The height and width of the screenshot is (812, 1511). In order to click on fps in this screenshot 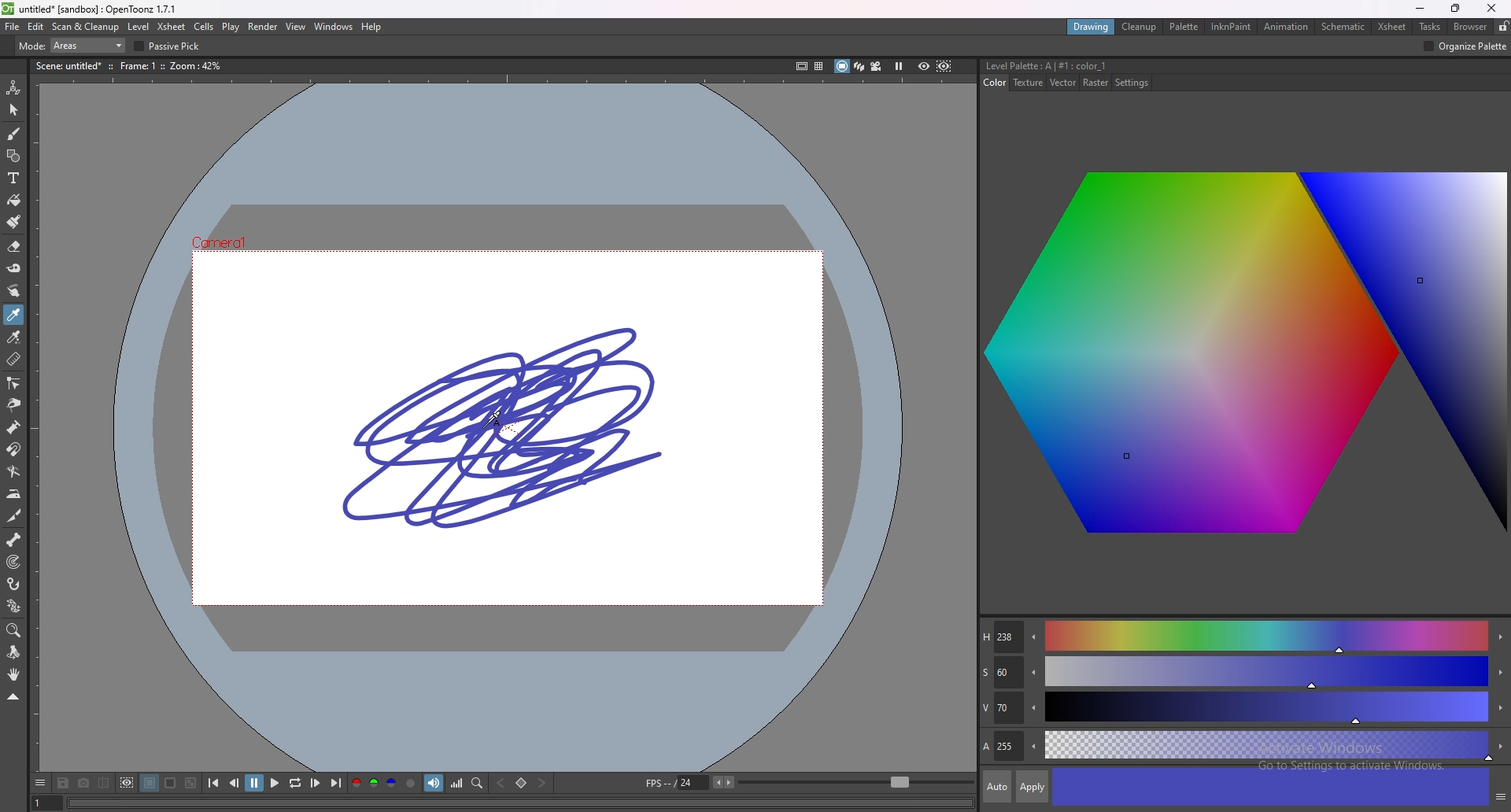, I will do `click(690, 782)`.